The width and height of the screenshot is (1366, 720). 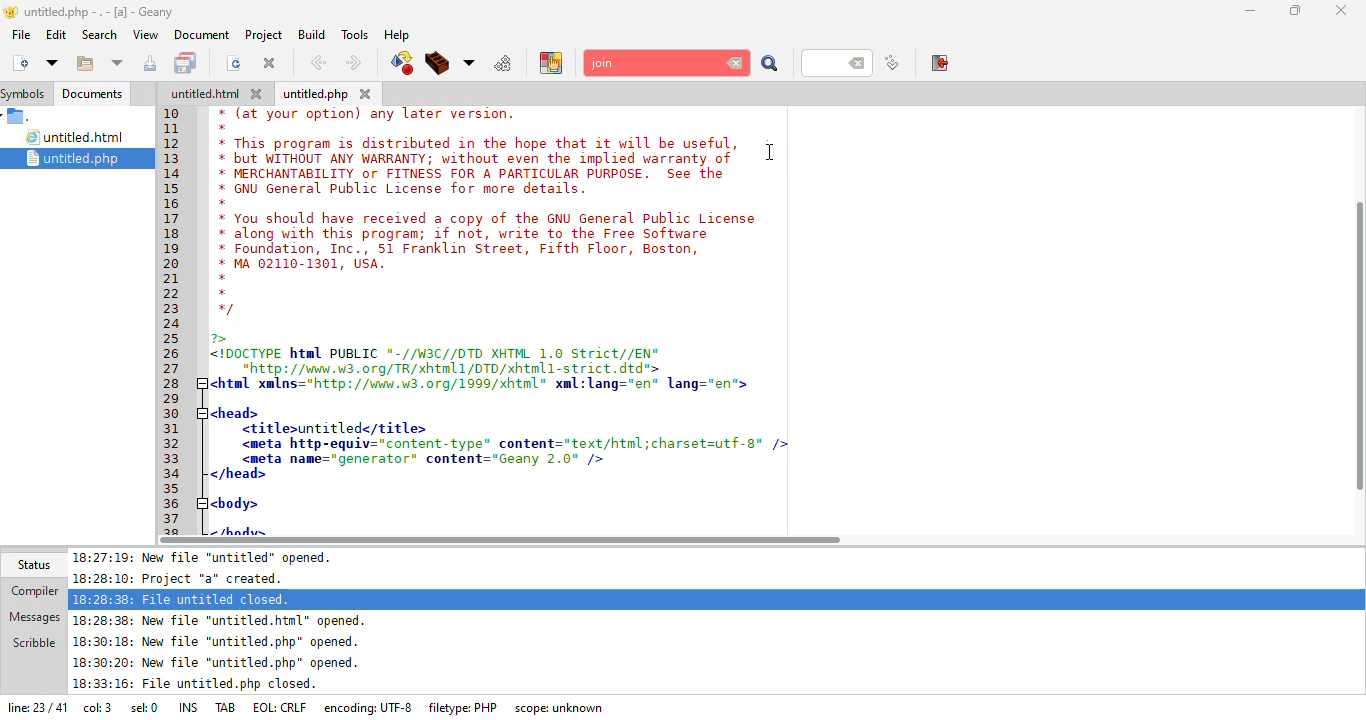 I want to click on File, so click(x=20, y=117).